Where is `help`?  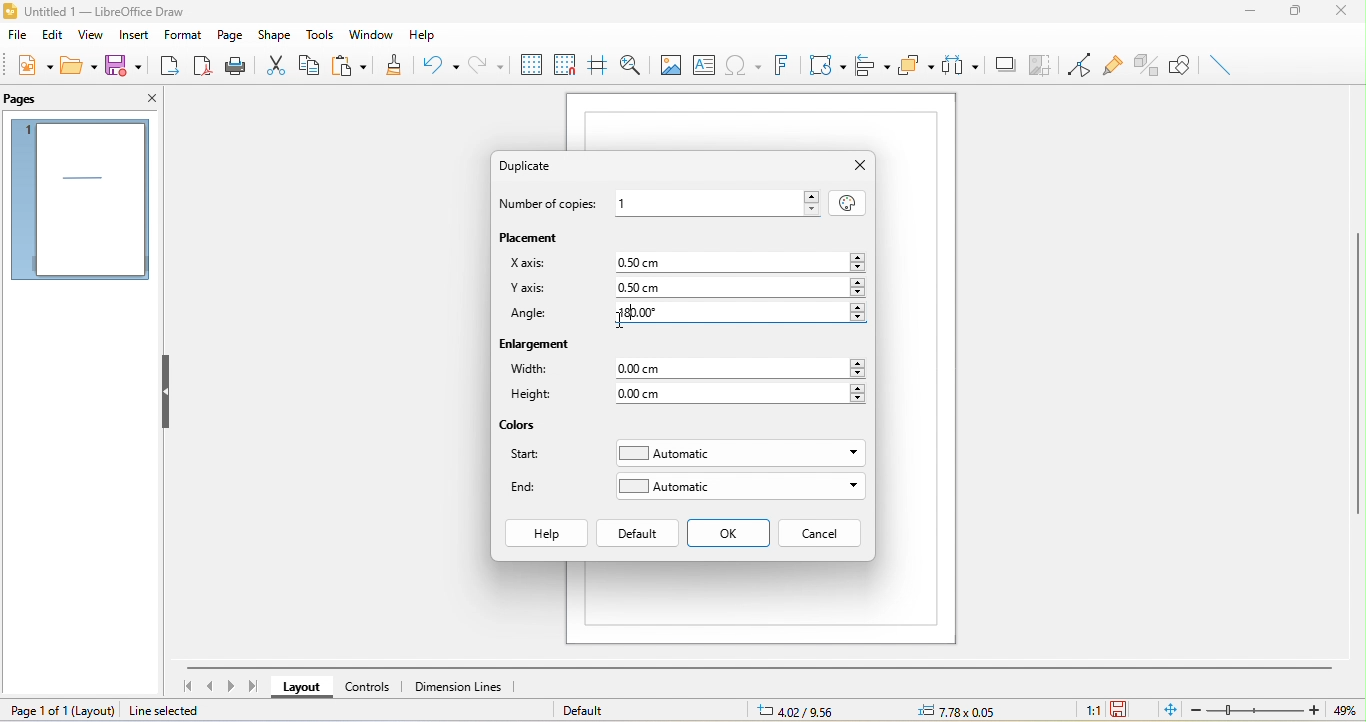 help is located at coordinates (430, 36).